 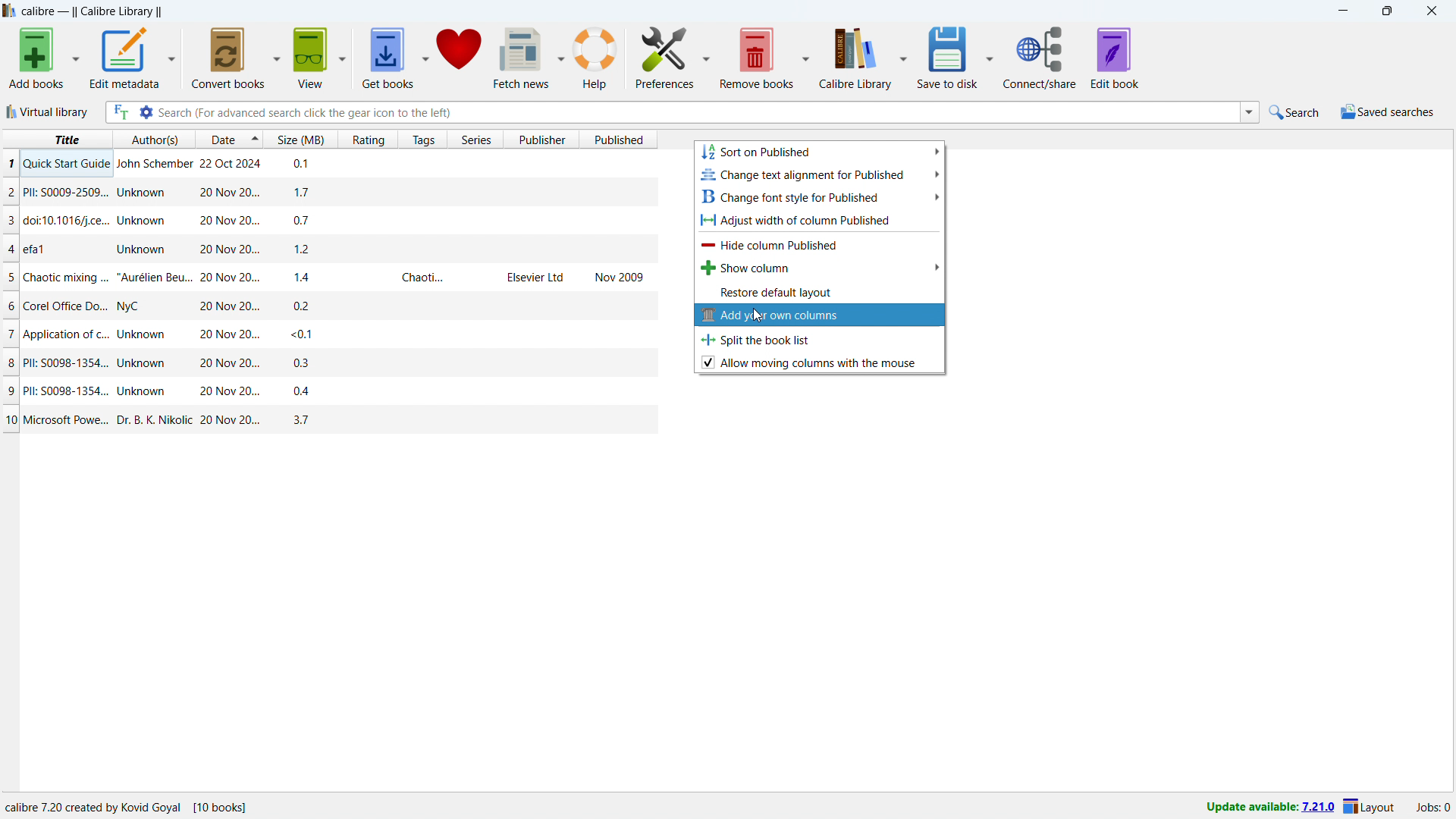 I want to click on enter search string, so click(x=699, y=113).